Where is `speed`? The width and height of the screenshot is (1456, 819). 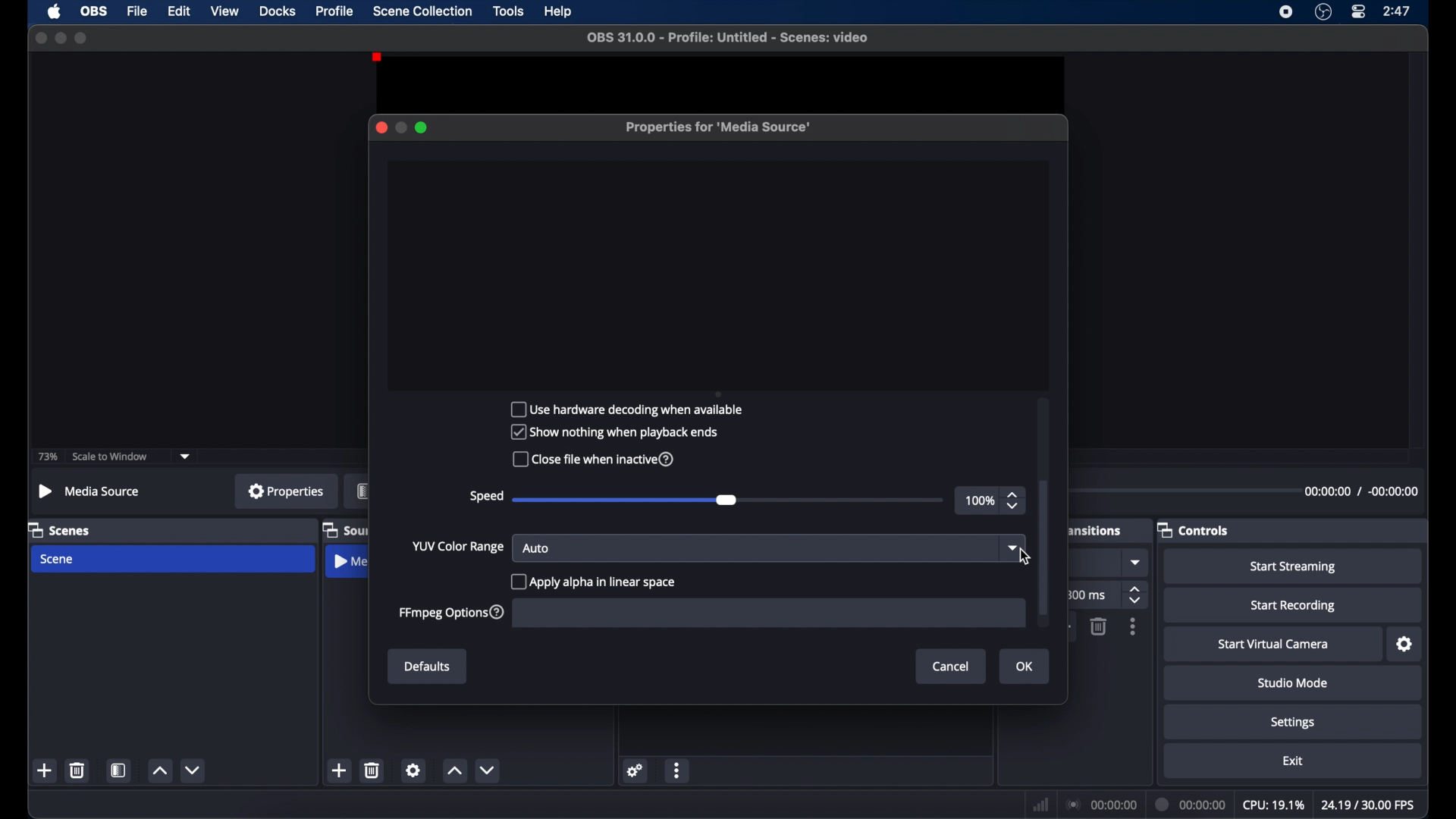
speed is located at coordinates (486, 497).